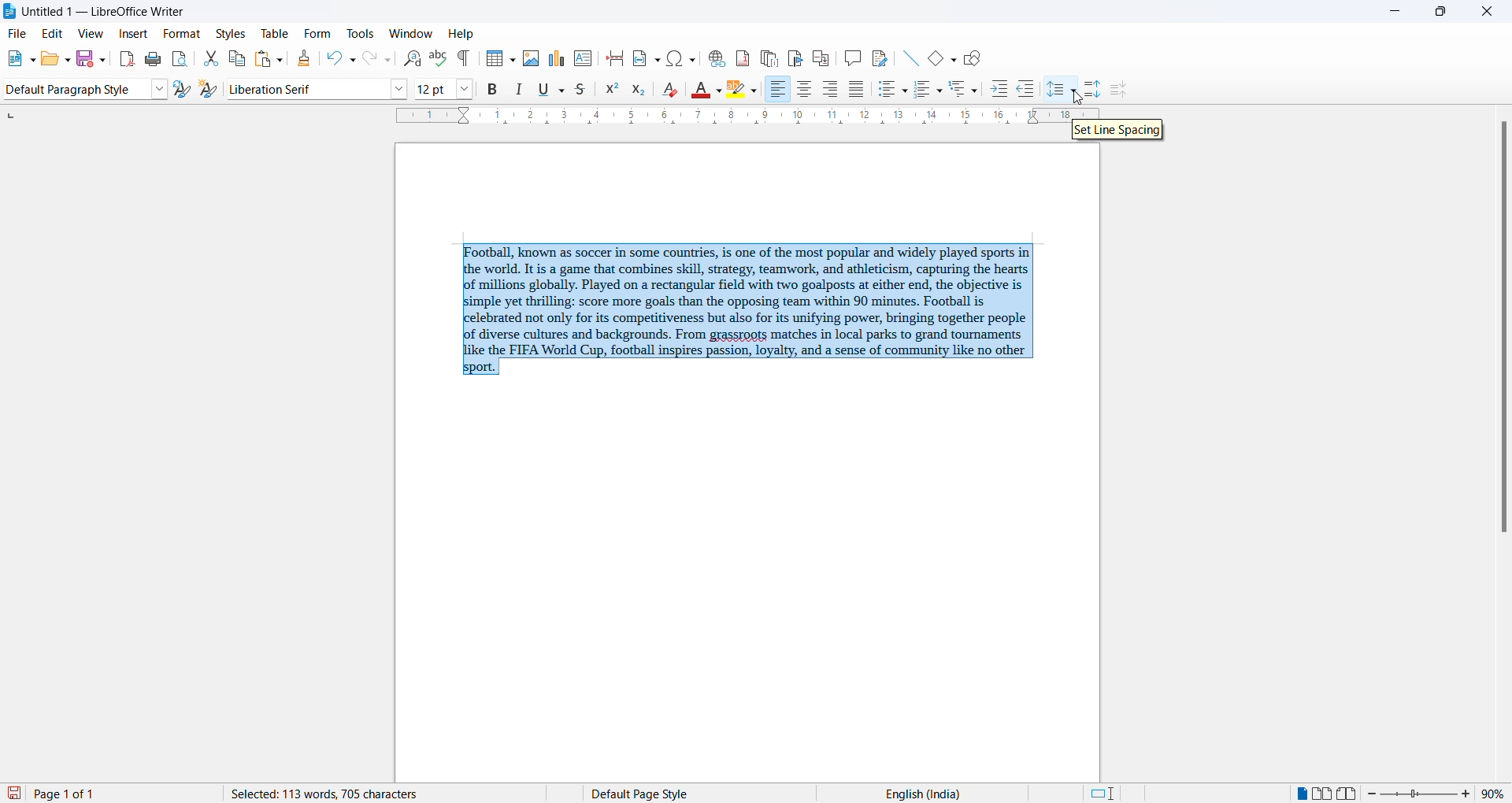 The image size is (1512, 803). I want to click on spellings, so click(440, 57).